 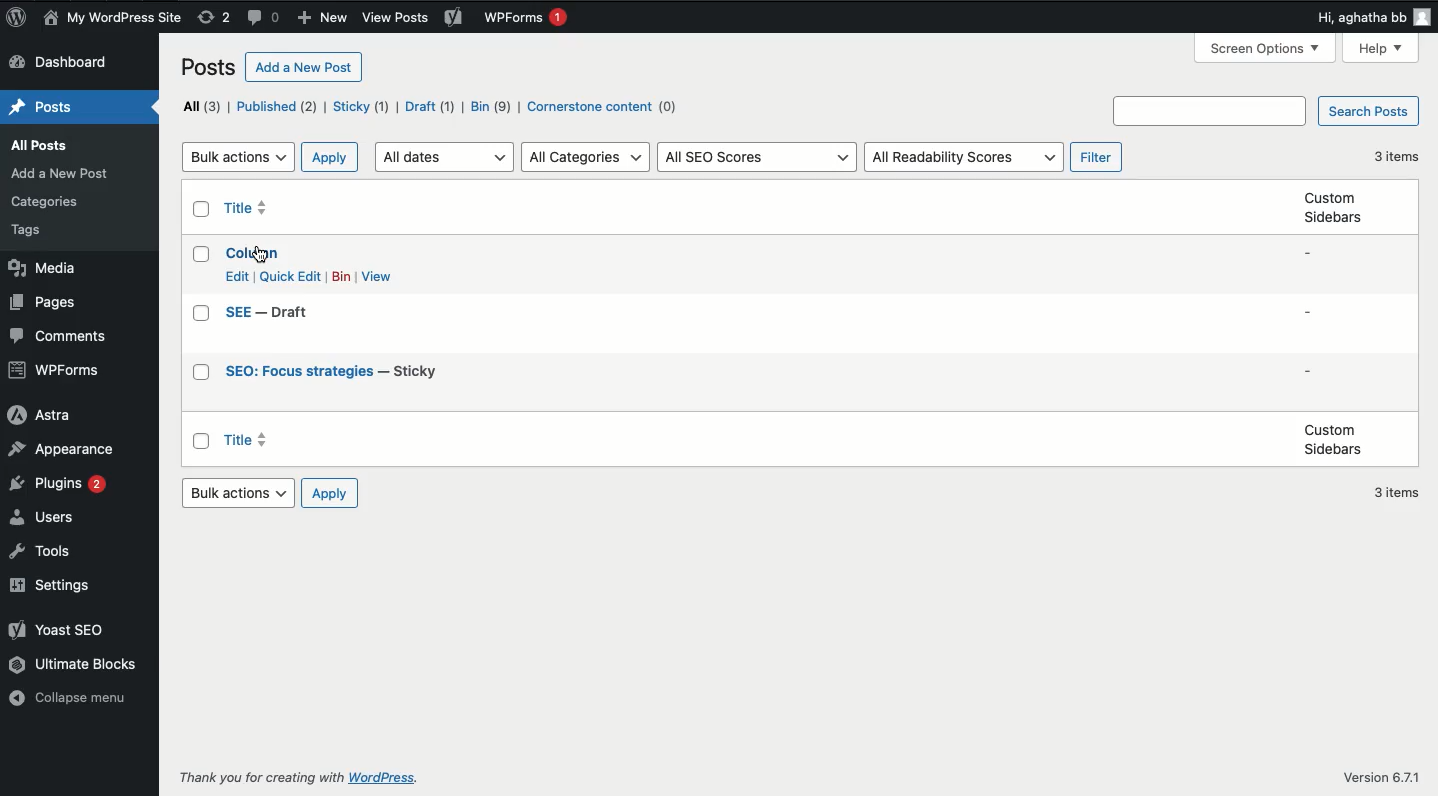 I want to click on Version 6.7.1, so click(x=1386, y=776).